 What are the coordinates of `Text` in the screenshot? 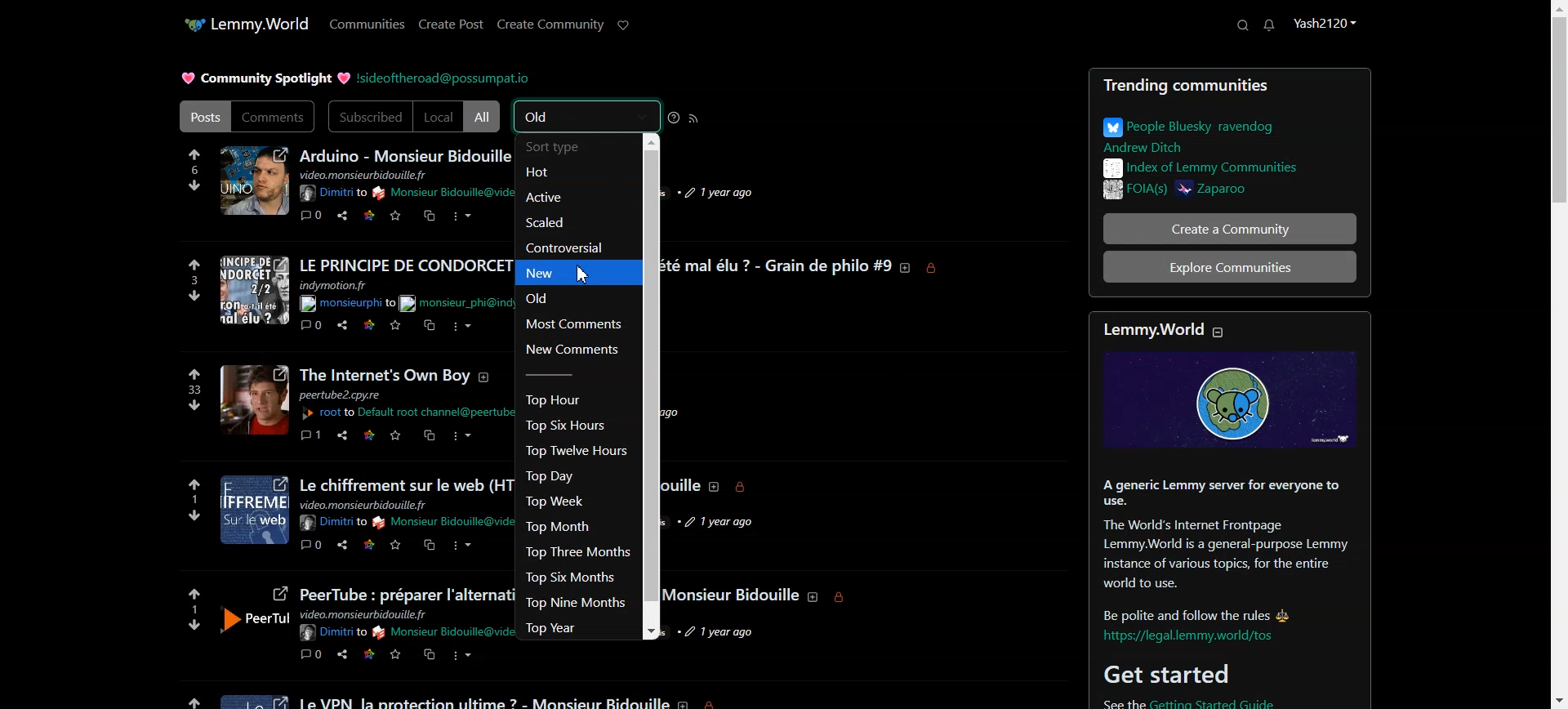 It's located at (733, 595).